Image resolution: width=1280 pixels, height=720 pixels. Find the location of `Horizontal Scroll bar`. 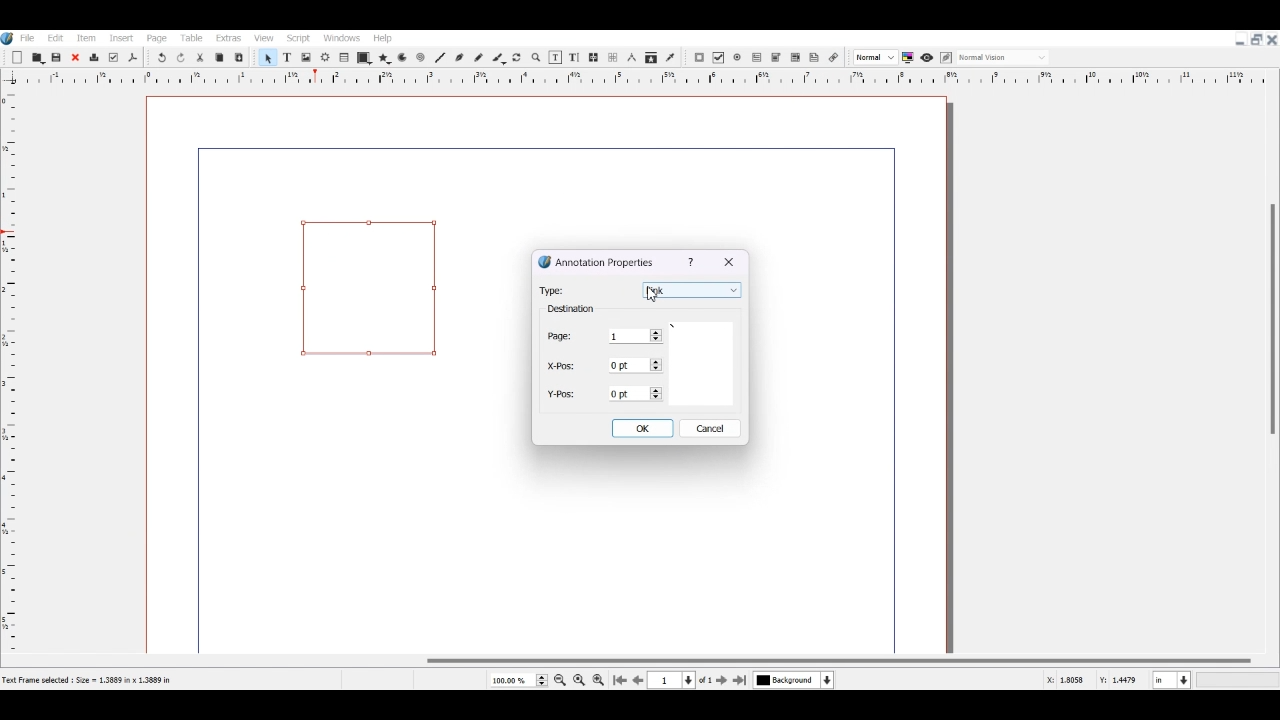

Horizontal Scroll bar is located at coordinates (640, 661).